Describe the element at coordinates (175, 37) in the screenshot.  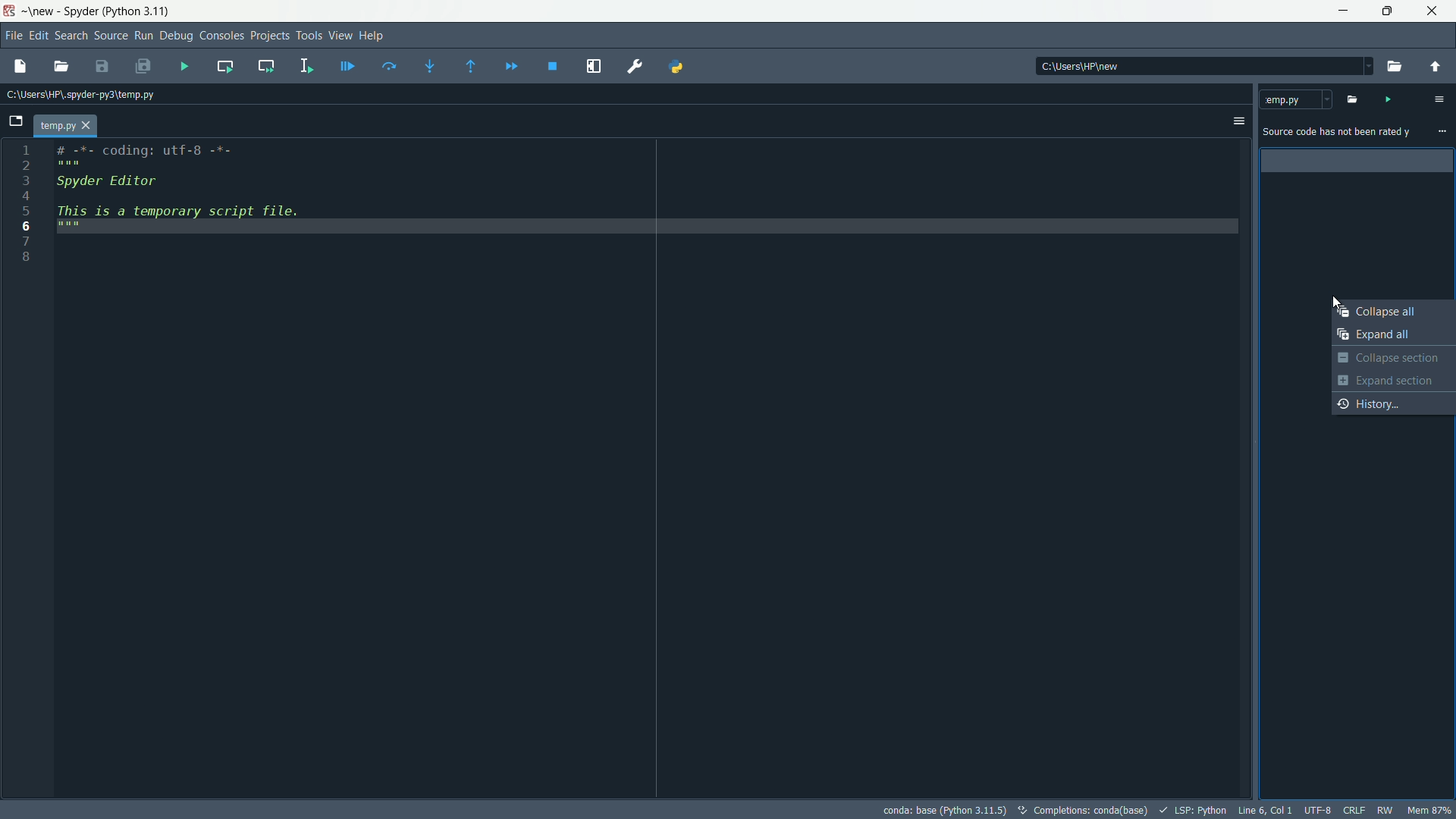
I see `debug menu` at that location.